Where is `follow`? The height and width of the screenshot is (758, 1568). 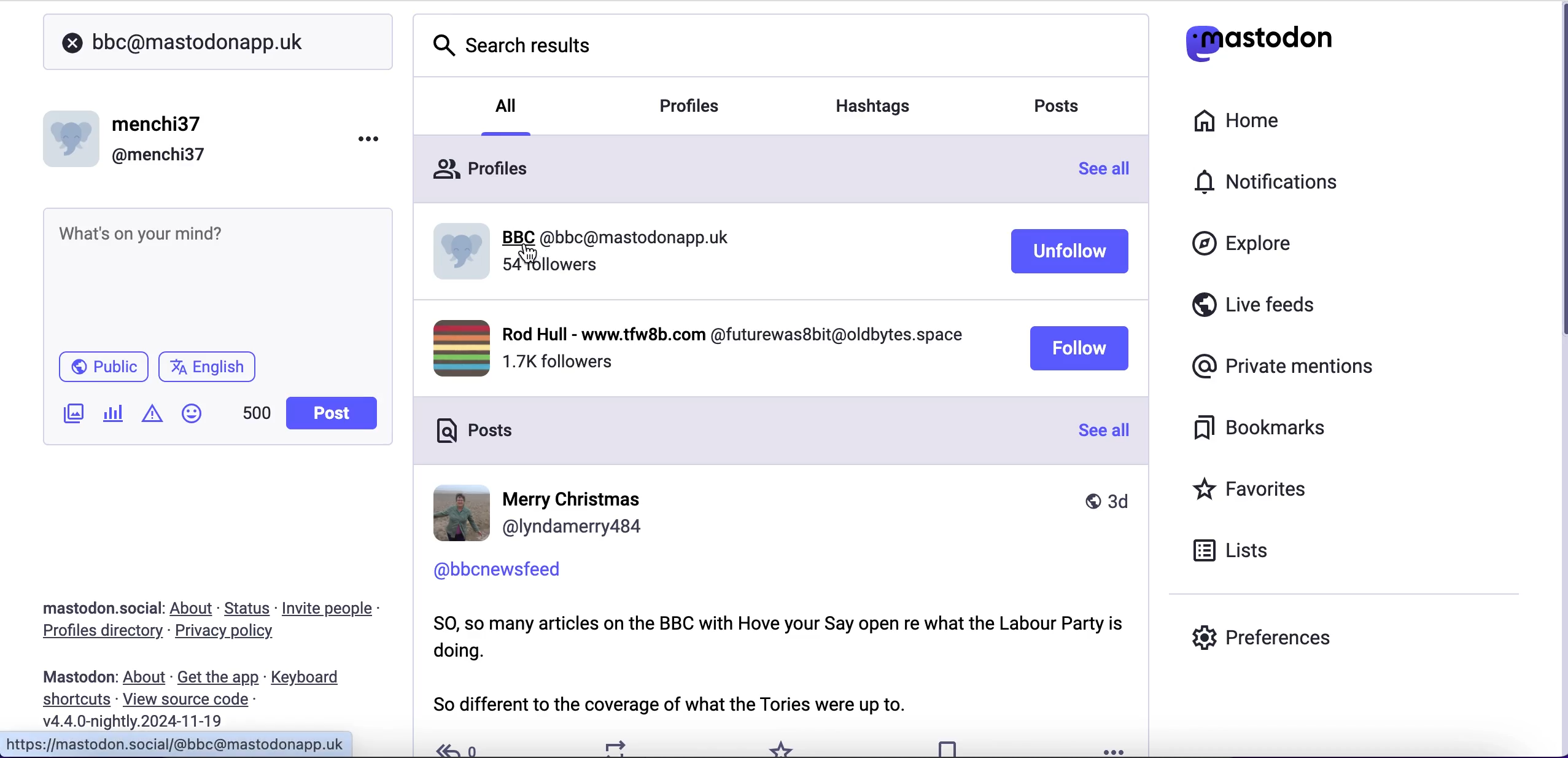
follow is located at coordinates (1078, 348).